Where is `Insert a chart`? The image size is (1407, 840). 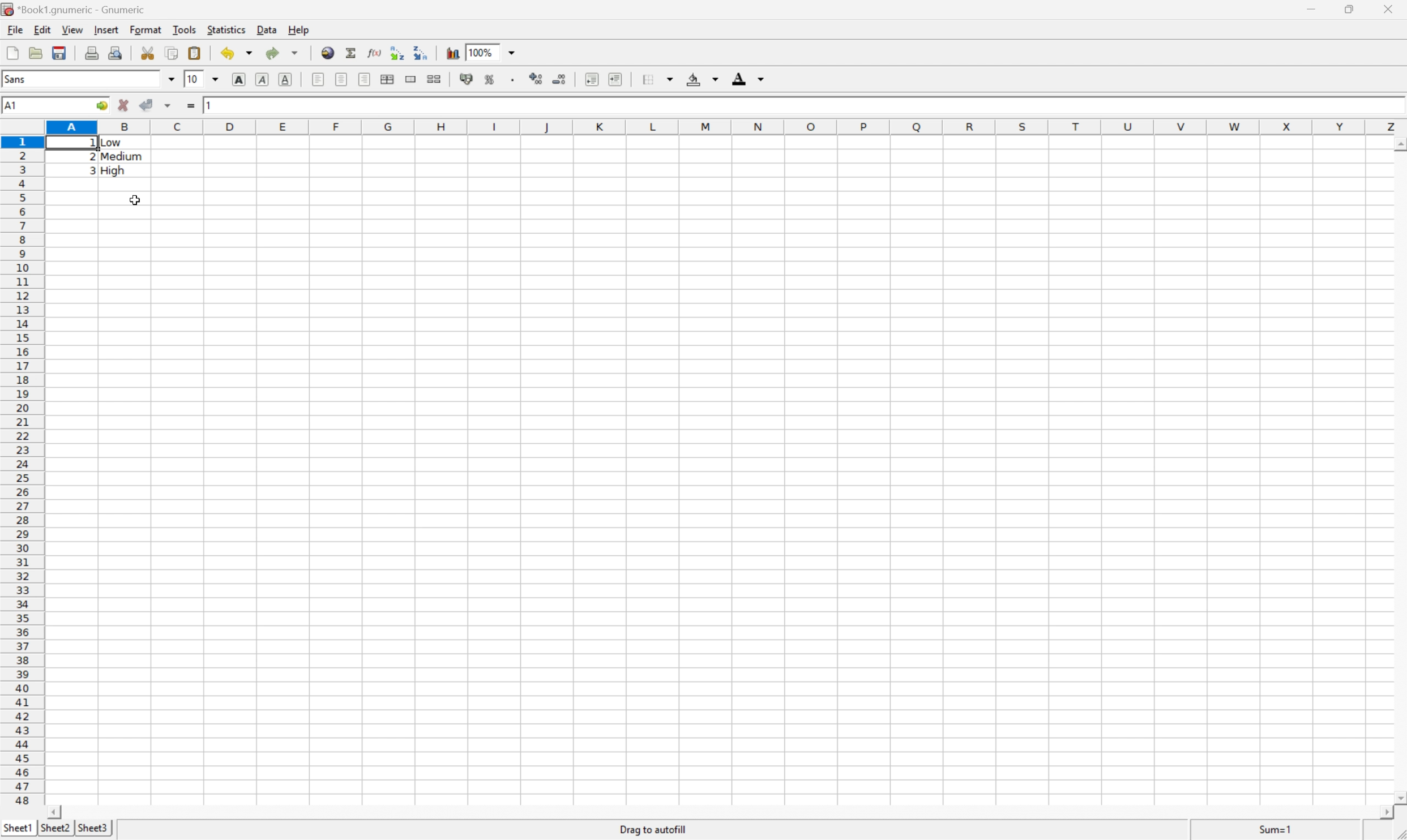
Insert a chart is located at coordinates (454, 53).